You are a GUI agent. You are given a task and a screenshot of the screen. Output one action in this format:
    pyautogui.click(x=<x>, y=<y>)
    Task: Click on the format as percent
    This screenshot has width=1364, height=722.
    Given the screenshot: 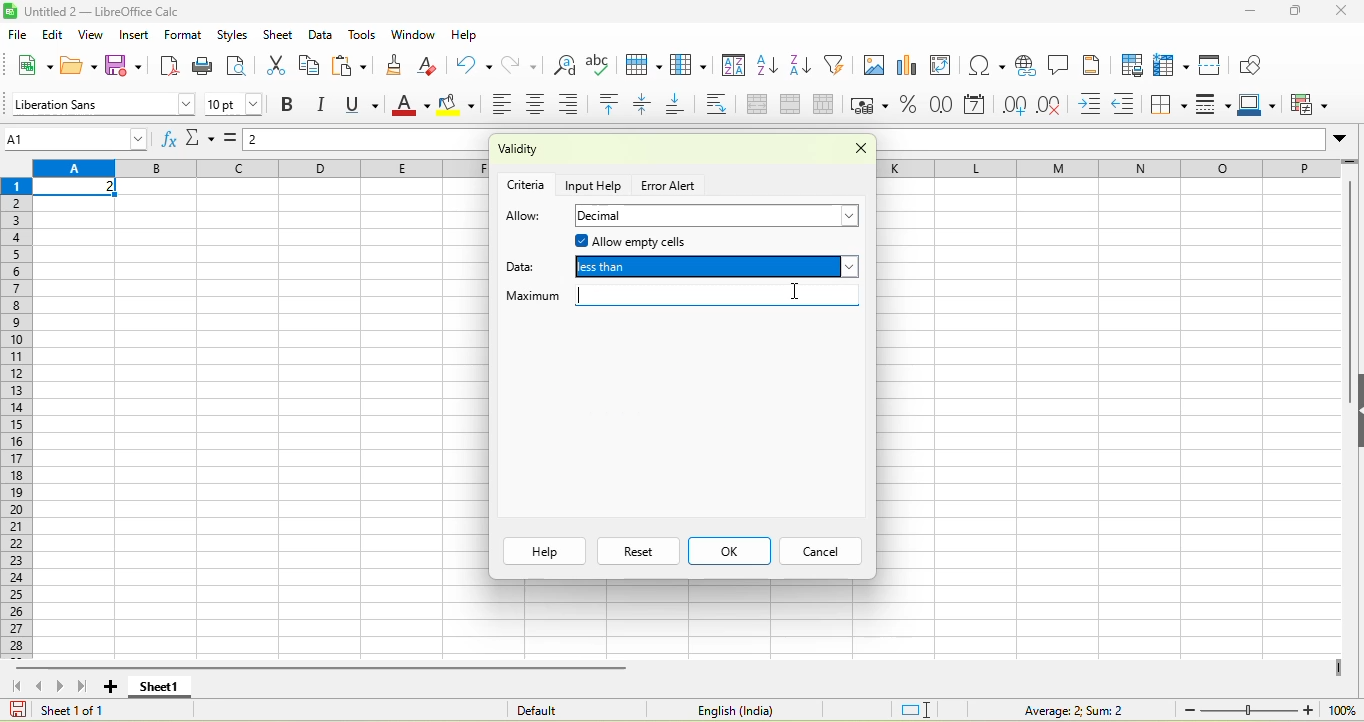 What is the action you would take?
    pyautogui.click(x=909, y=106)
    